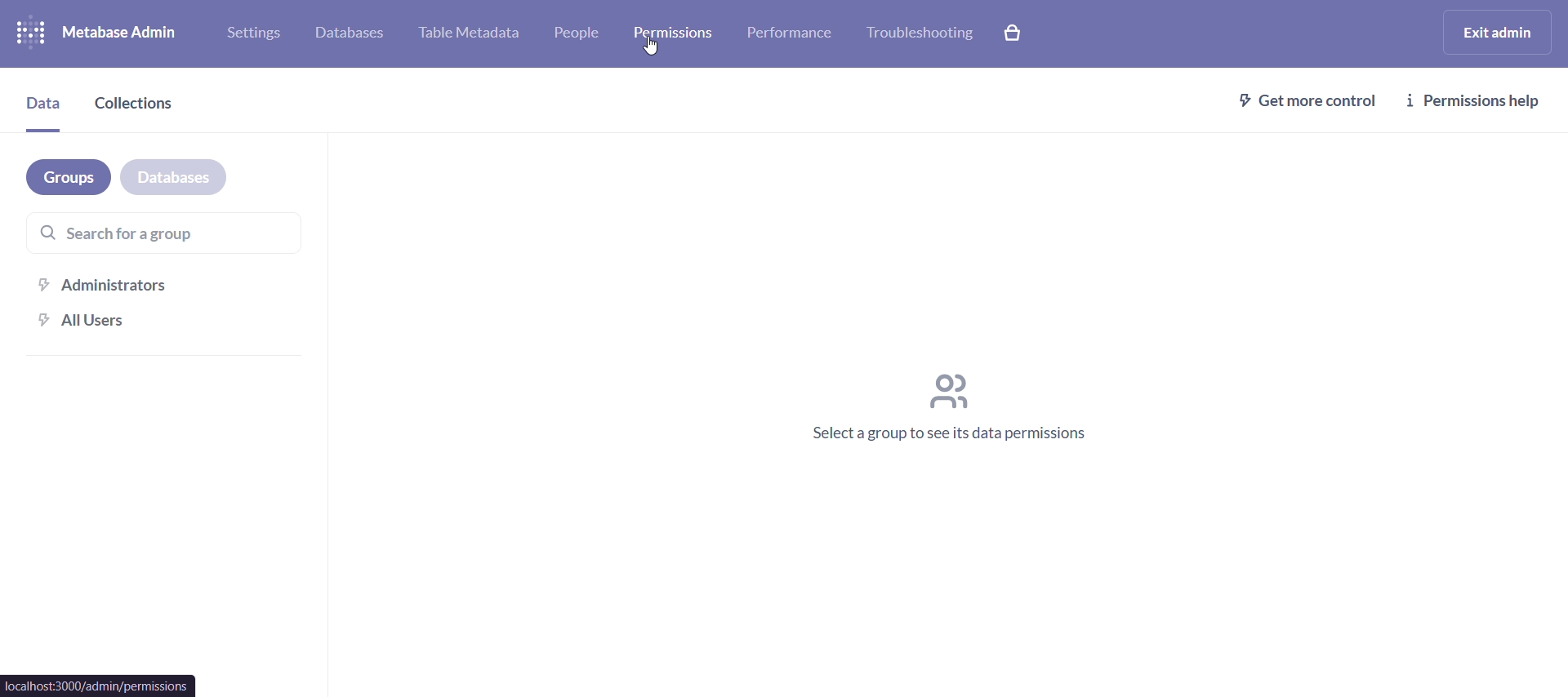 The image size is (1568, 697). Describe the element at coordinates (183, 180) in the screenshot. I see `database` at that location.